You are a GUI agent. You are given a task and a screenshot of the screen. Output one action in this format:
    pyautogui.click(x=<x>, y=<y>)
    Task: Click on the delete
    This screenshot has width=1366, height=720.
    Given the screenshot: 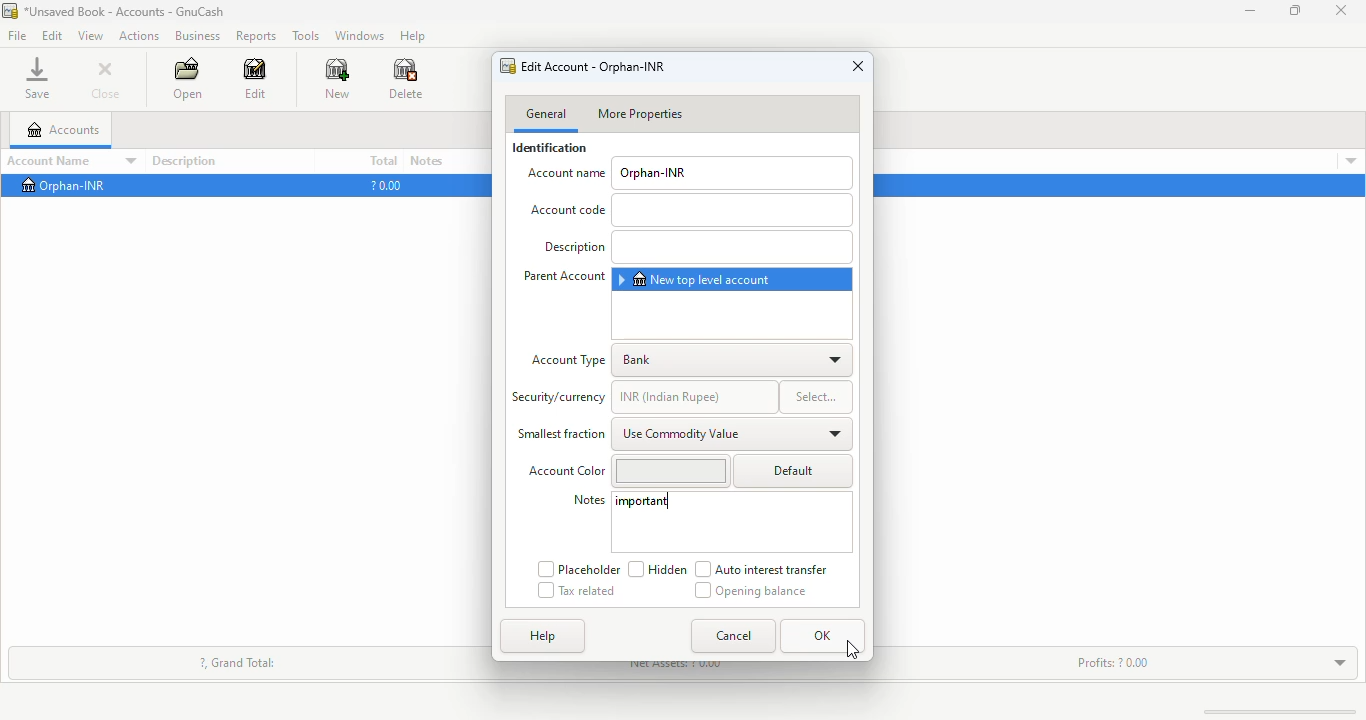 What is the action you would take?
    pyautogui.click(x=406, y=78)
    